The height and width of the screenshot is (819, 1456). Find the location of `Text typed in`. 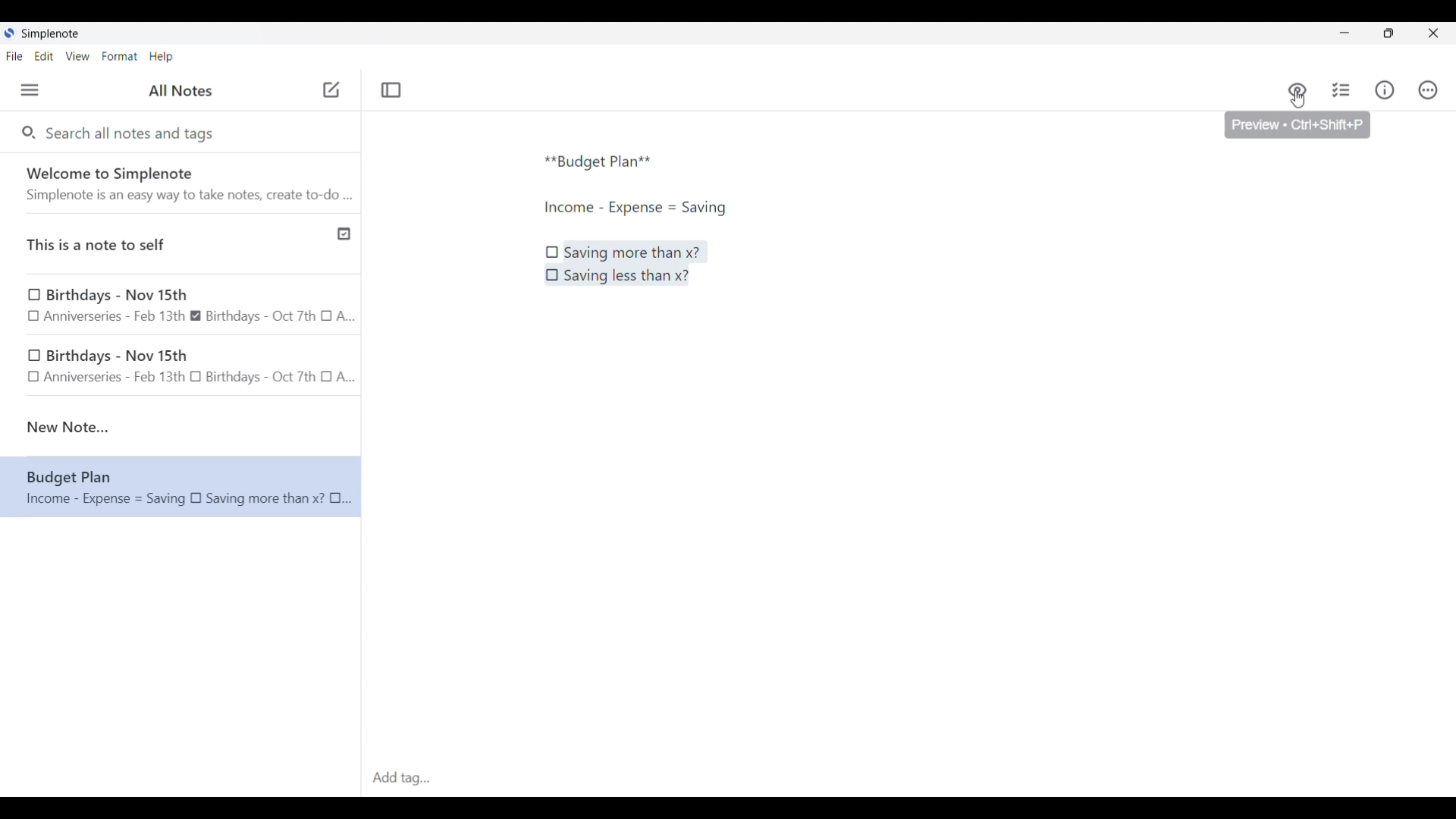

Text typed in is located at coordinates (598, 162).